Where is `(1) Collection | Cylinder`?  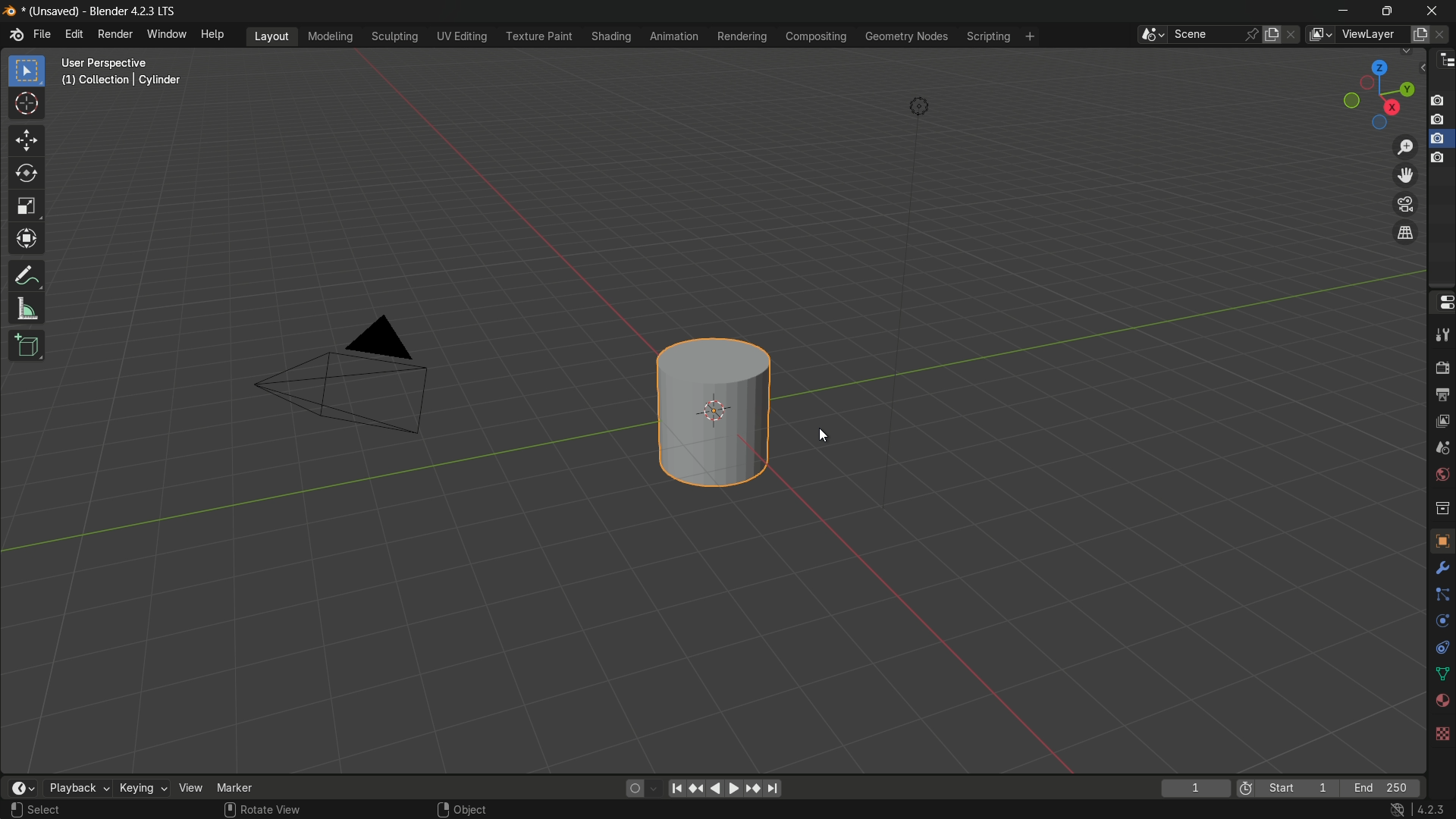 (1) Collection | Cylinder is located at coordinates (121, 81).